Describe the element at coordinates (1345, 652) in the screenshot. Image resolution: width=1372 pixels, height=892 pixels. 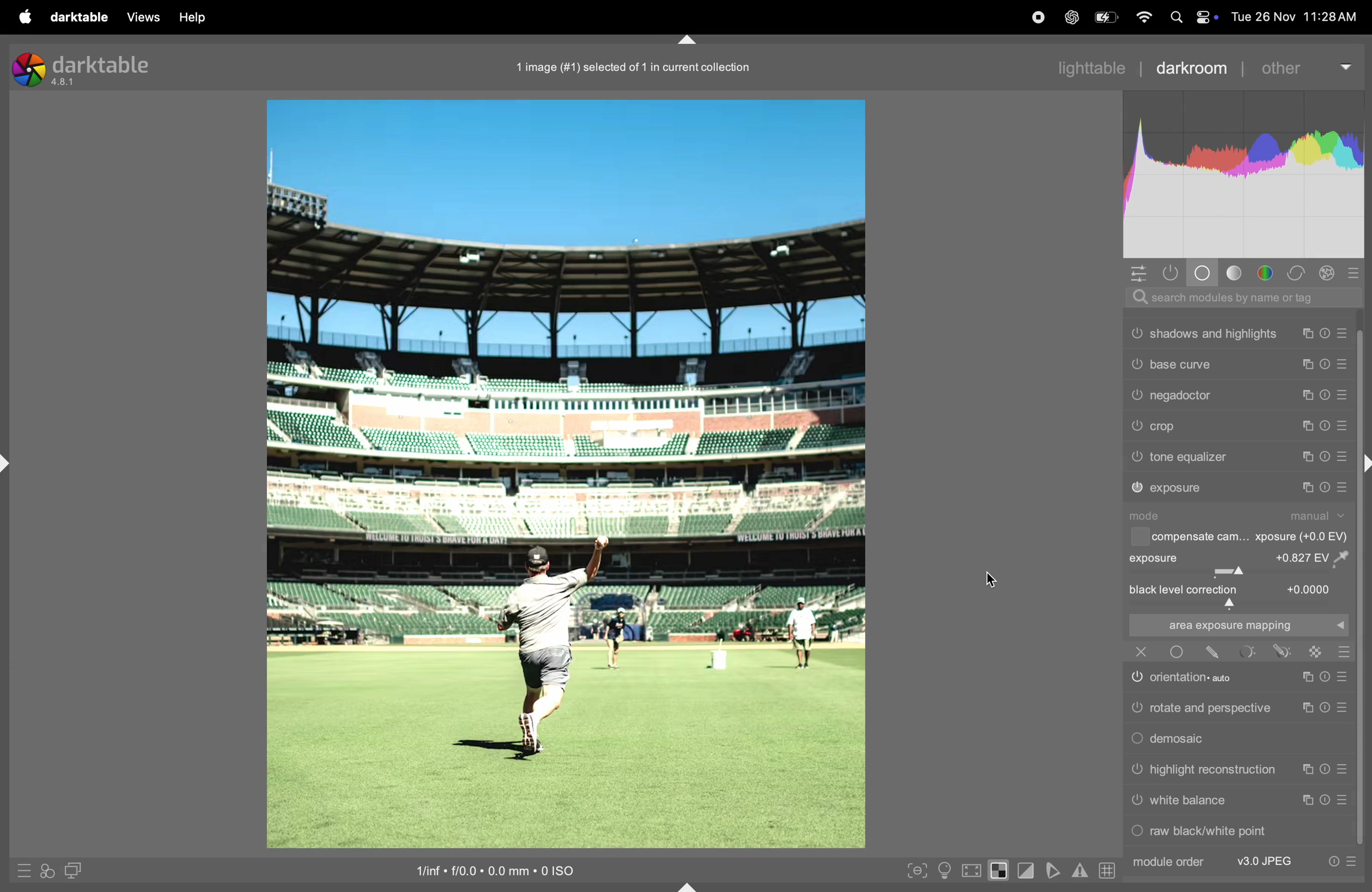
I see `Preset` at that location.